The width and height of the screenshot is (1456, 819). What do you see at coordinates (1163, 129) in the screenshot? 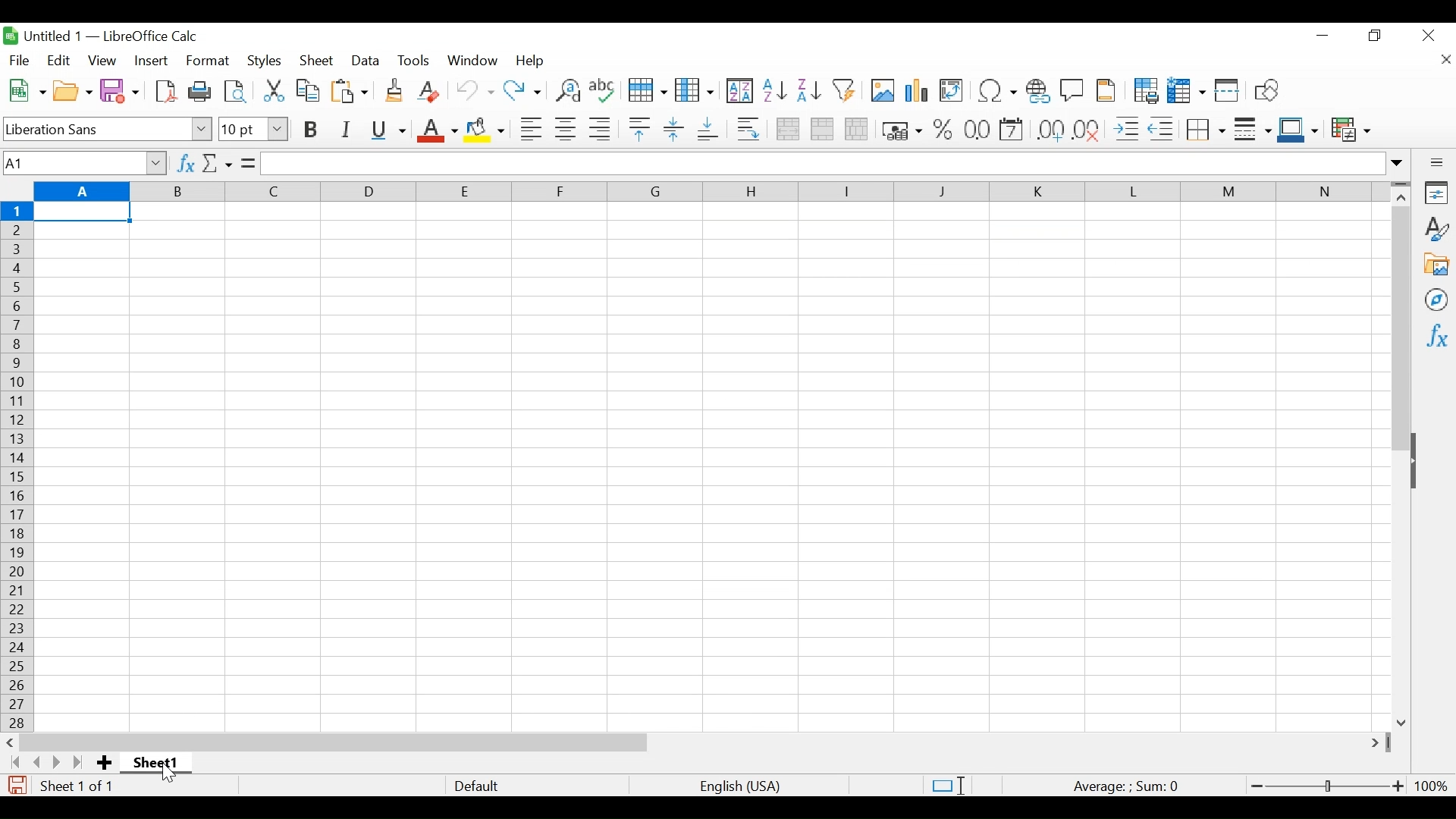
I see `Decrease indent` at bounding box center [1163, 129].